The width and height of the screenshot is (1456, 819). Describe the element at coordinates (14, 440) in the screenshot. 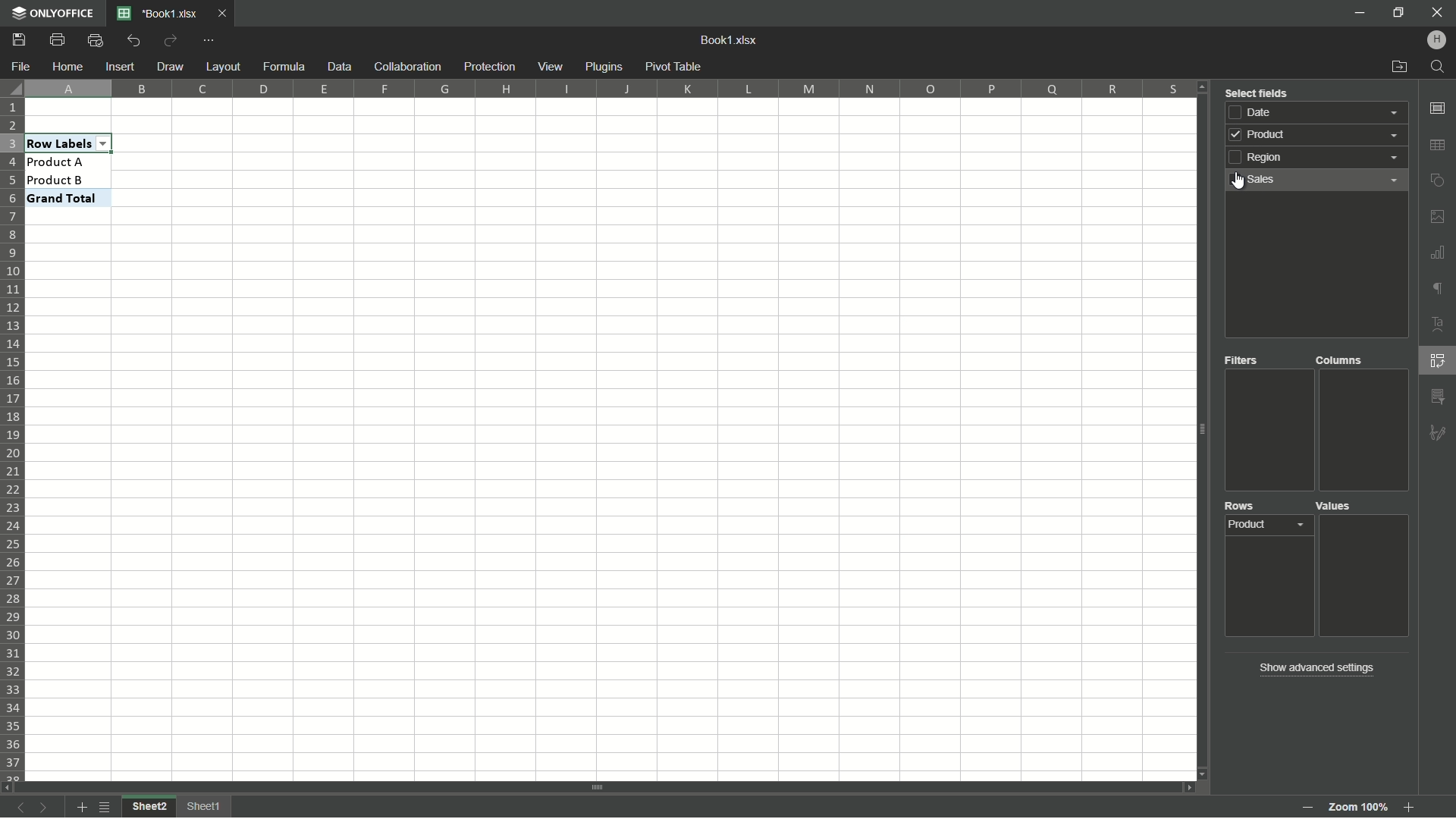

I see `row number` at that location.